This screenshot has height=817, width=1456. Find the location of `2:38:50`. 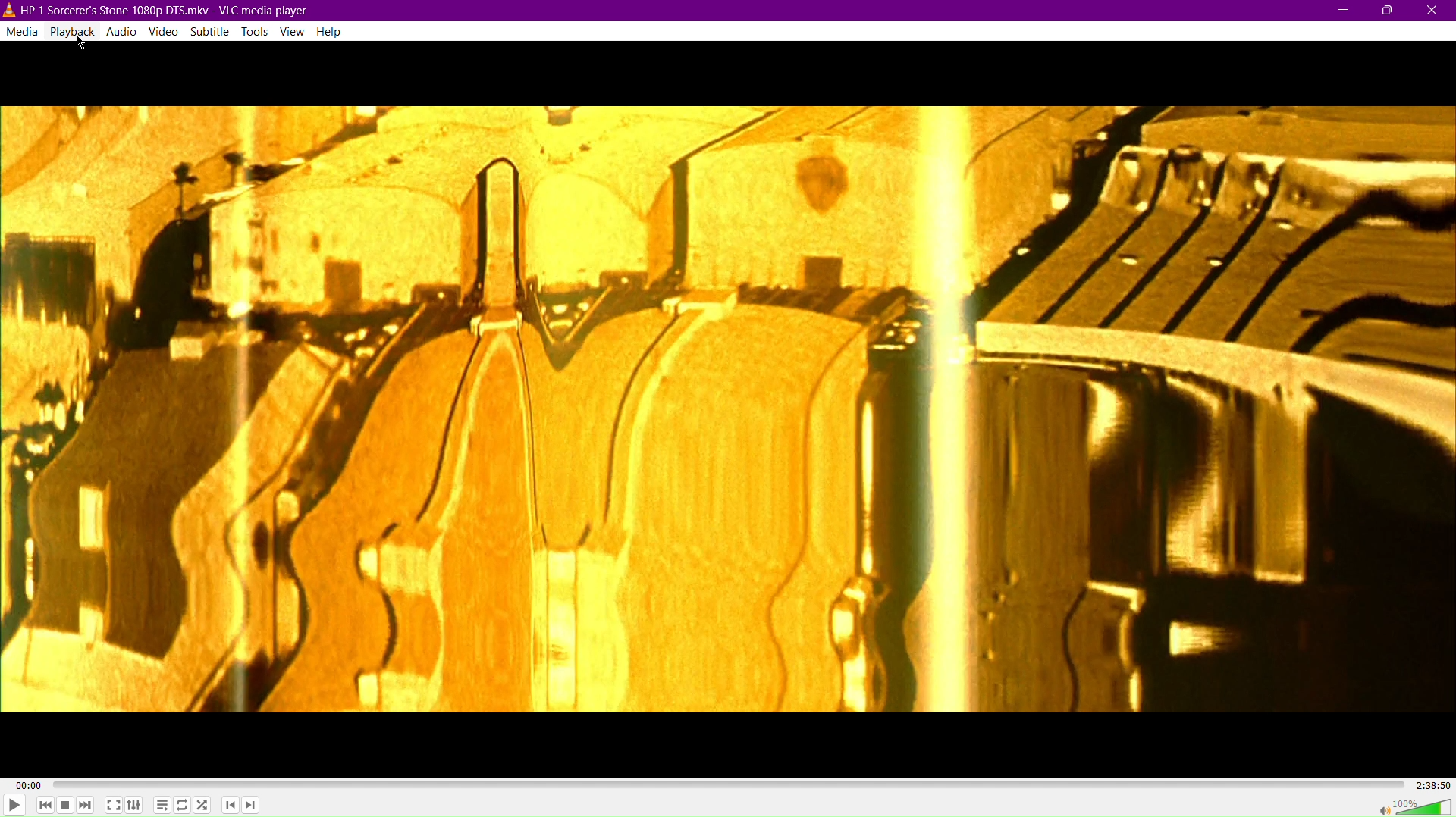

2:38:50 is located at coordinates (1429, 784).